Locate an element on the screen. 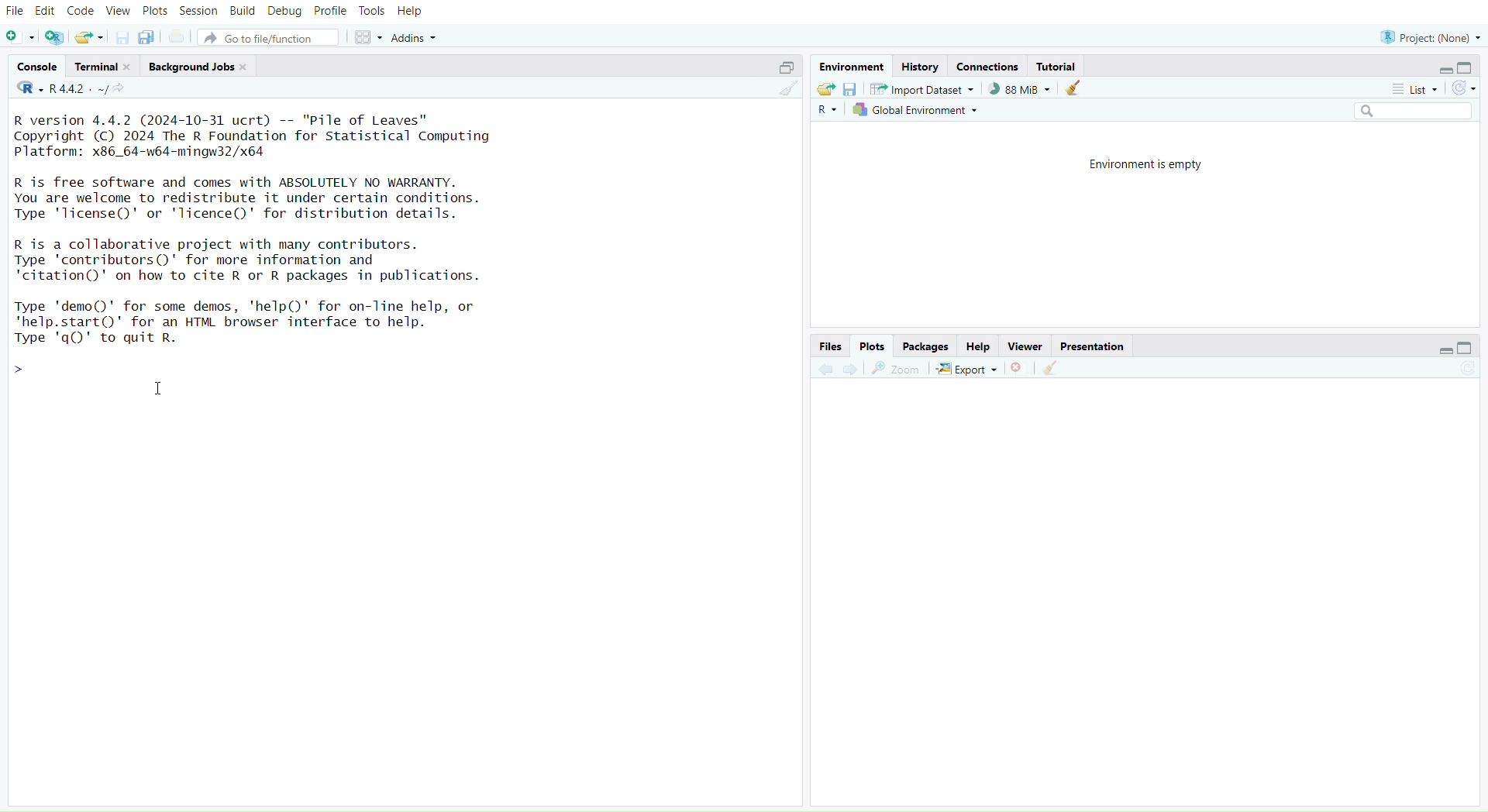  print the current file is located at coordinates (178, 38).